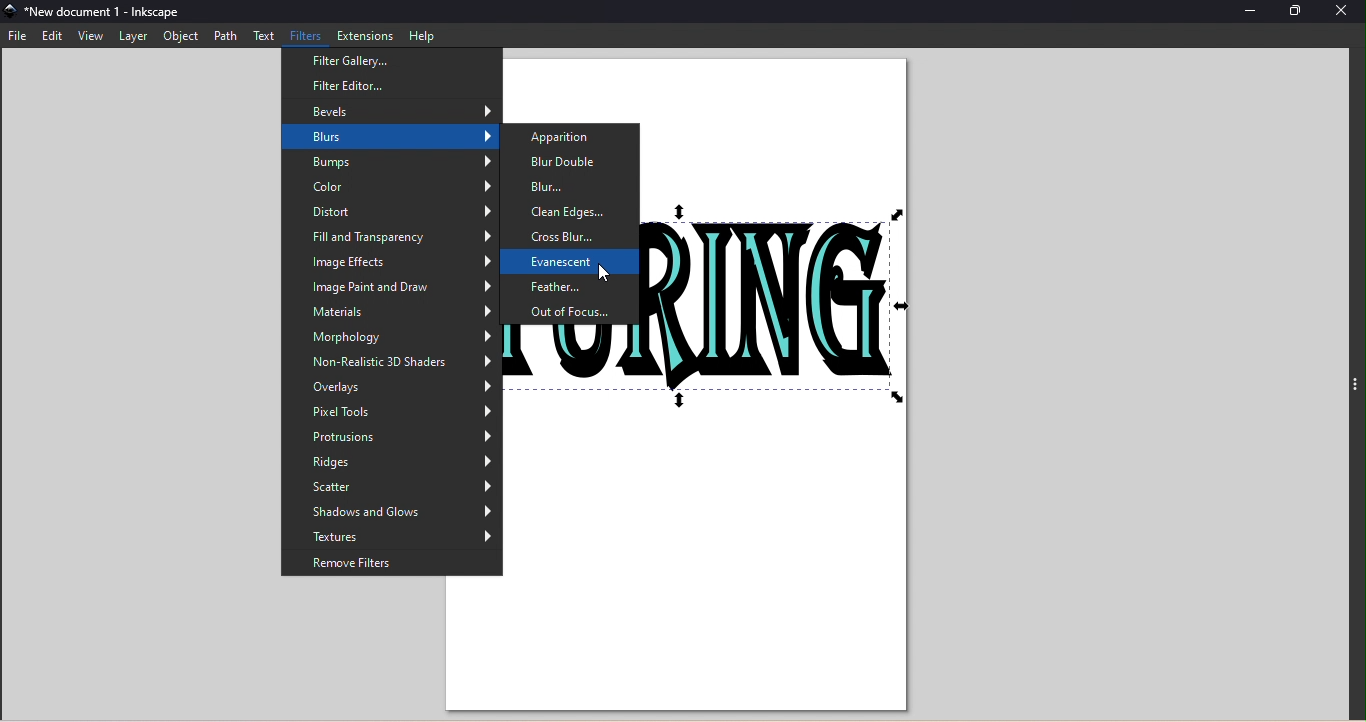  What do you see at coordinates (228, 36) in the screenshot?
I see `Path` at bounding box center [228, 36].